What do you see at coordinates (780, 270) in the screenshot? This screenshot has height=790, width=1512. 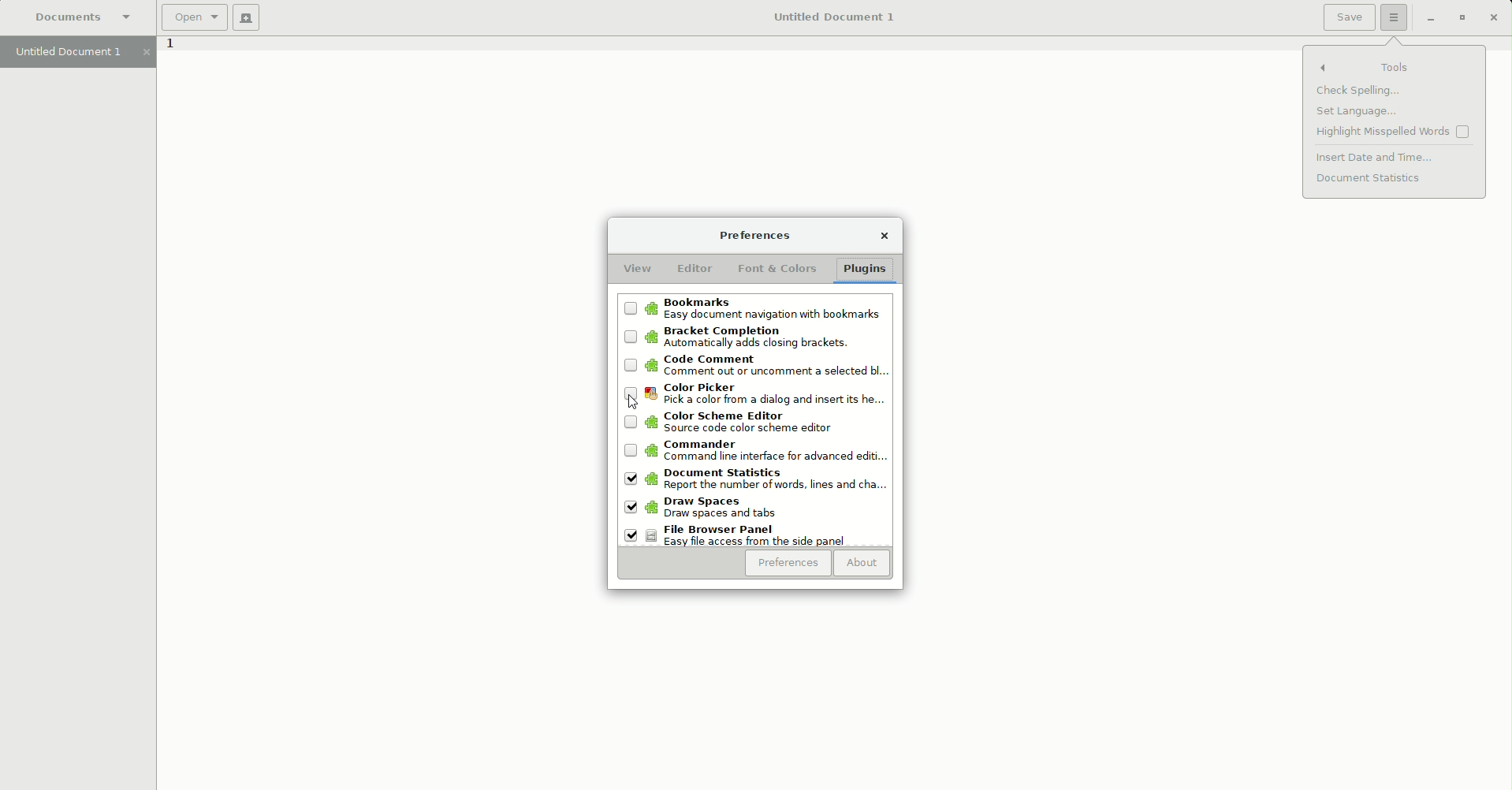 I see `Font and Colors` at bounding box center [780, 270].